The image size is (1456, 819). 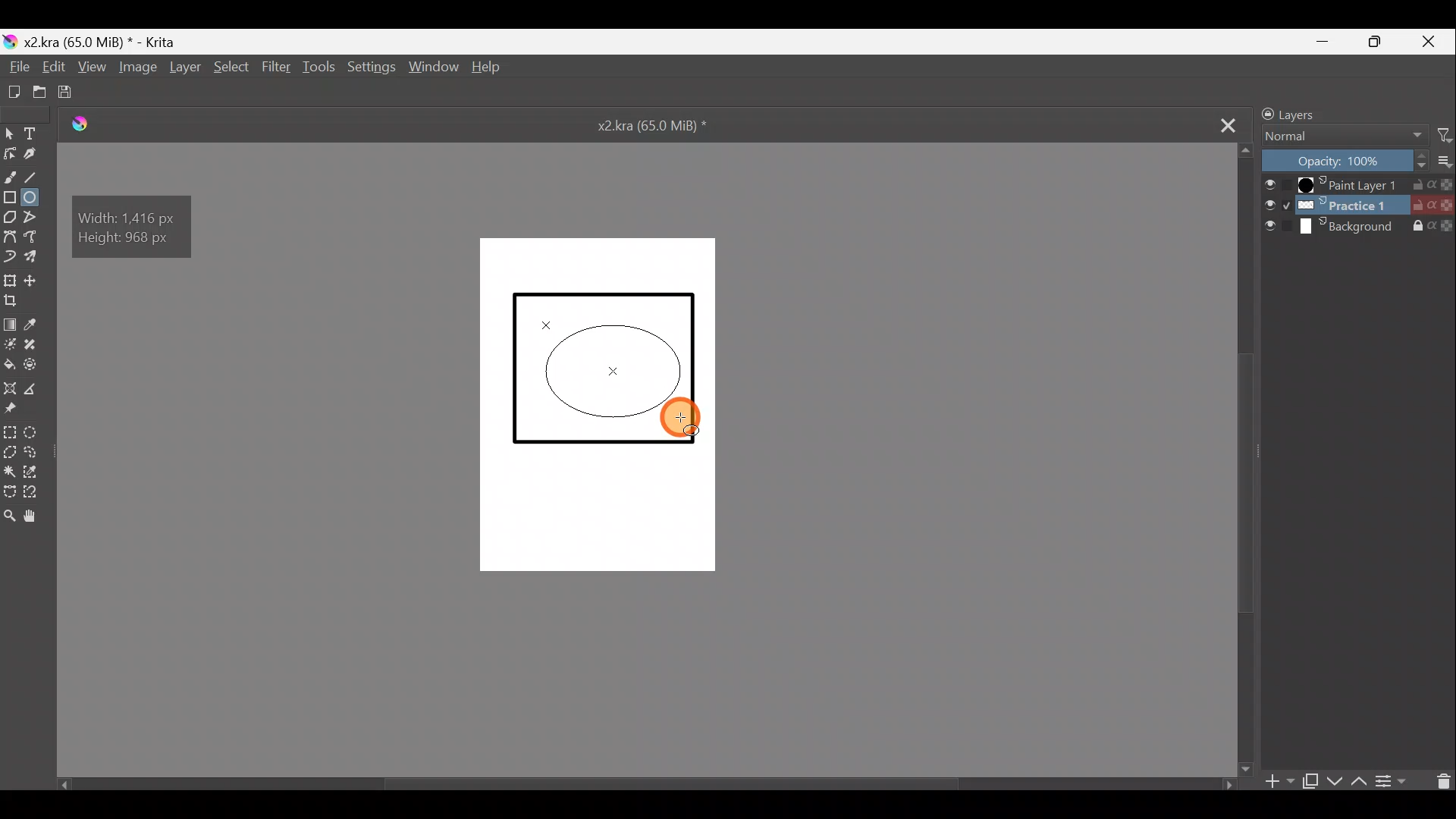 I want to click on Magnetic curve selection tool, so click(x=37, y=493).